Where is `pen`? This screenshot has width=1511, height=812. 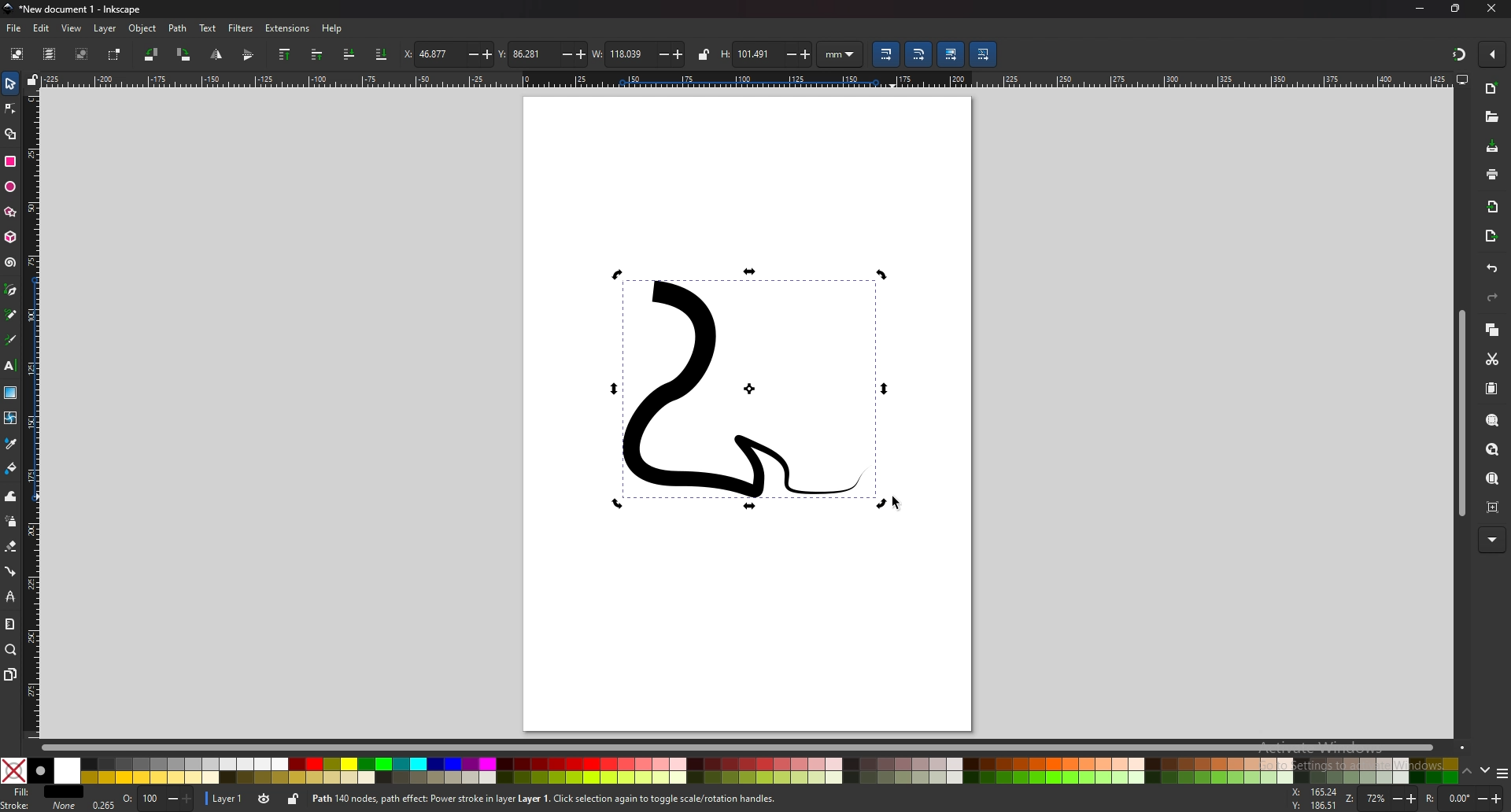 pen is located at coordinates (10, 290).